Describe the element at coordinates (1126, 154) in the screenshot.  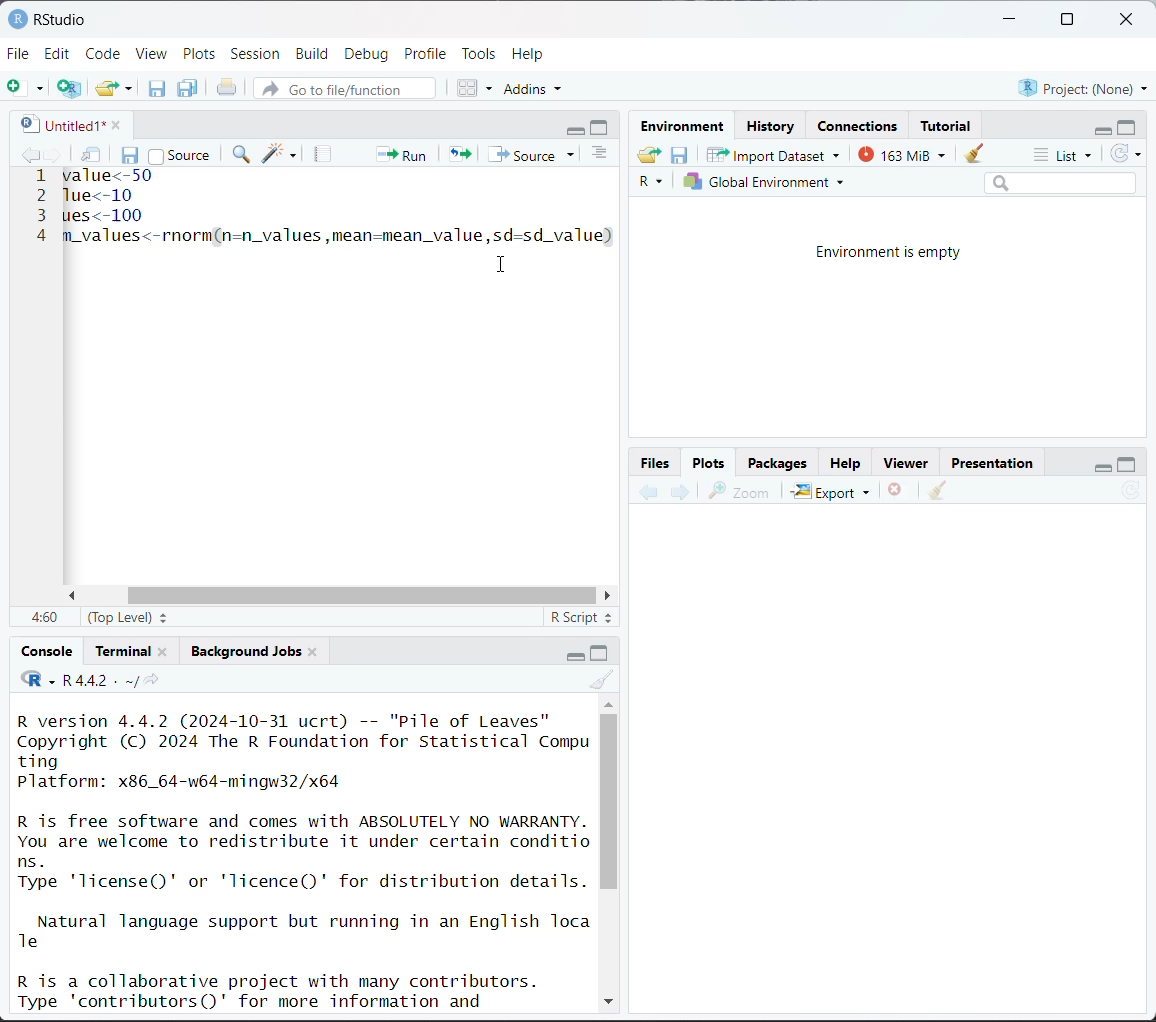
I see `refresh the list` at that location.